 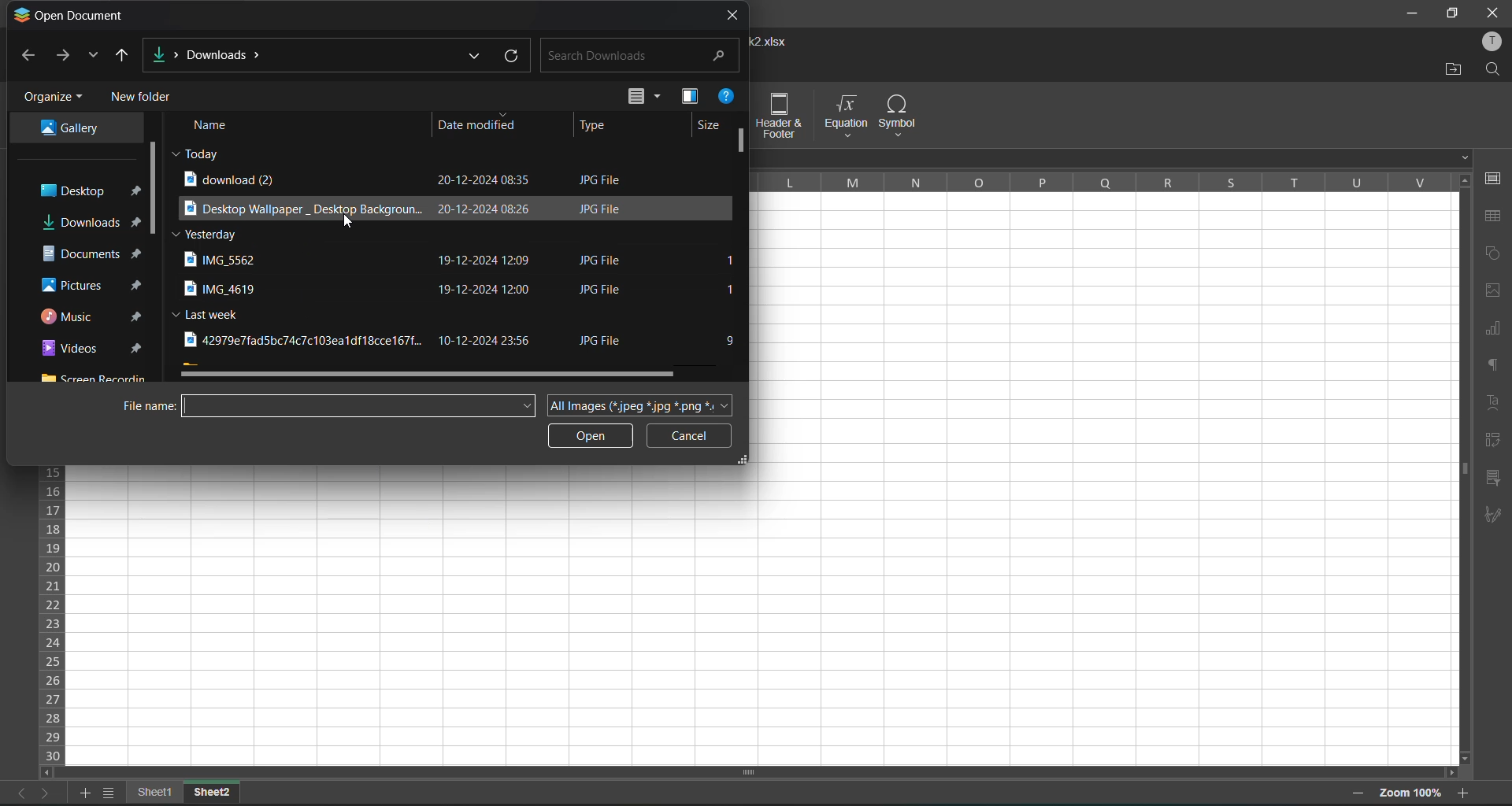 What do you see at coordinates (1492, 257) in the screenshot?
I see `shapes` at bounding box center [1492, 257].